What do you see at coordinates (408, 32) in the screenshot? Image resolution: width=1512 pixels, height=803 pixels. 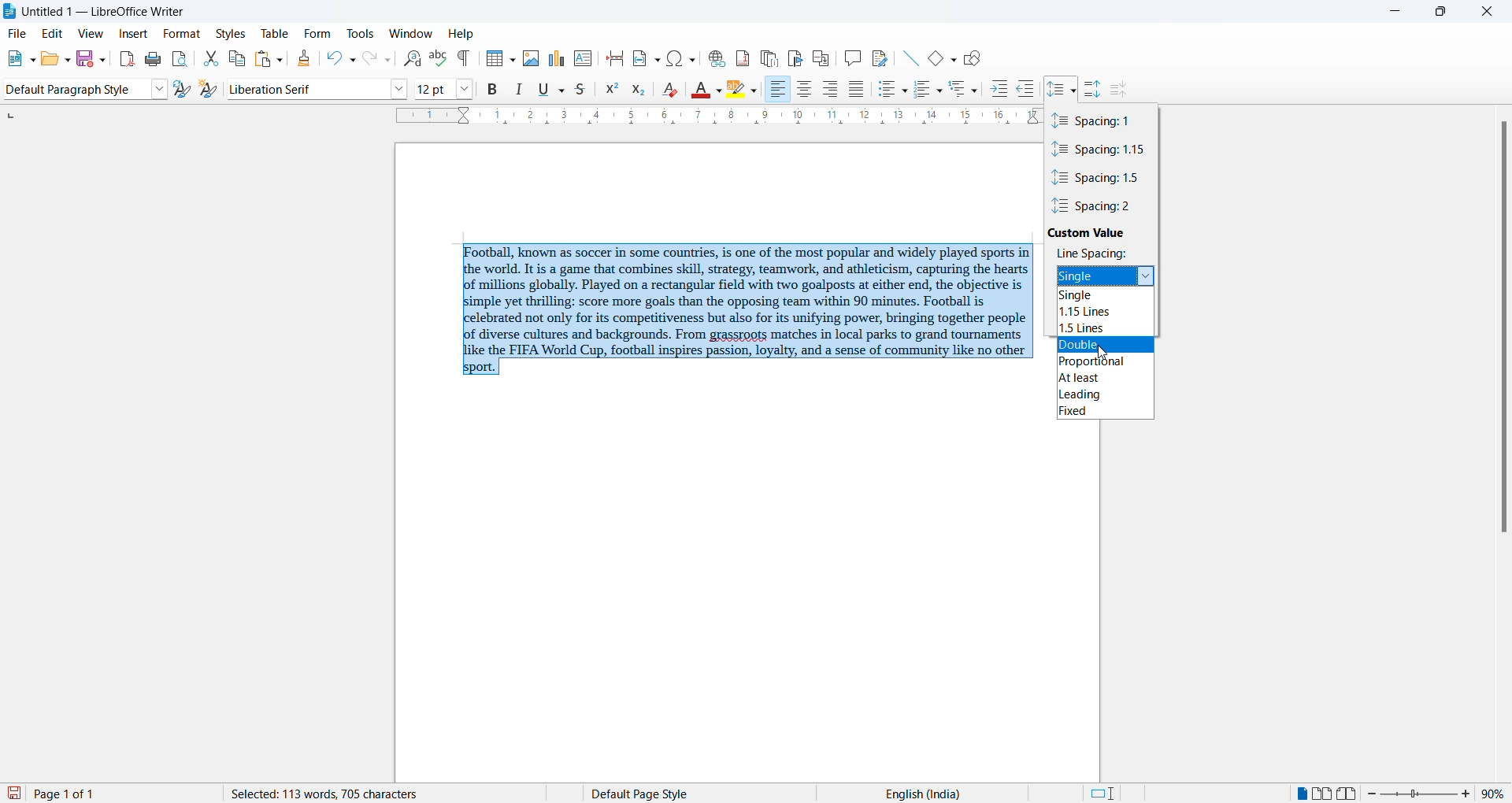 I see `window` at bounding box center [408, 32].